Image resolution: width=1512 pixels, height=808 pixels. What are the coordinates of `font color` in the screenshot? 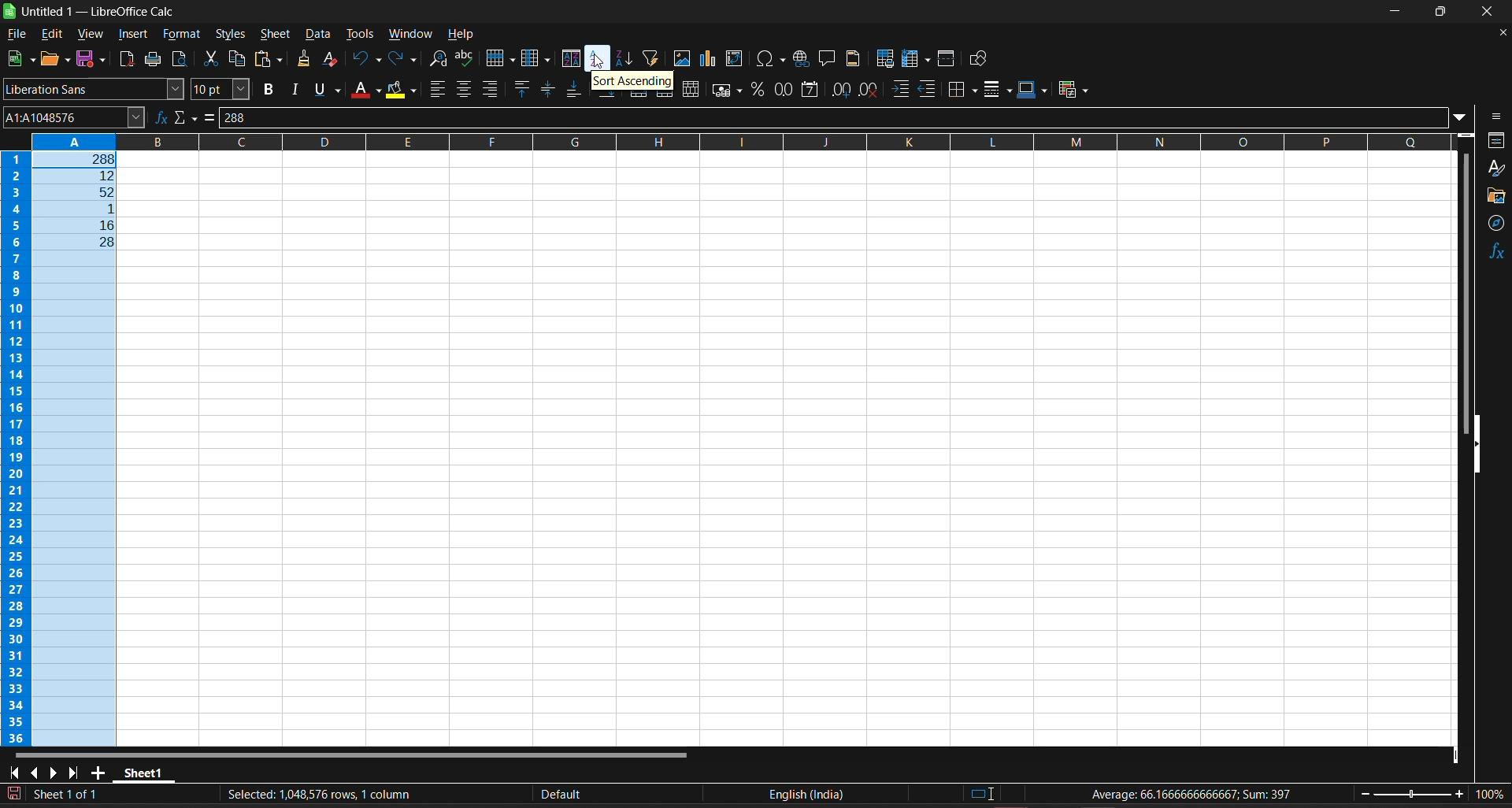 It's located at (366, 91).